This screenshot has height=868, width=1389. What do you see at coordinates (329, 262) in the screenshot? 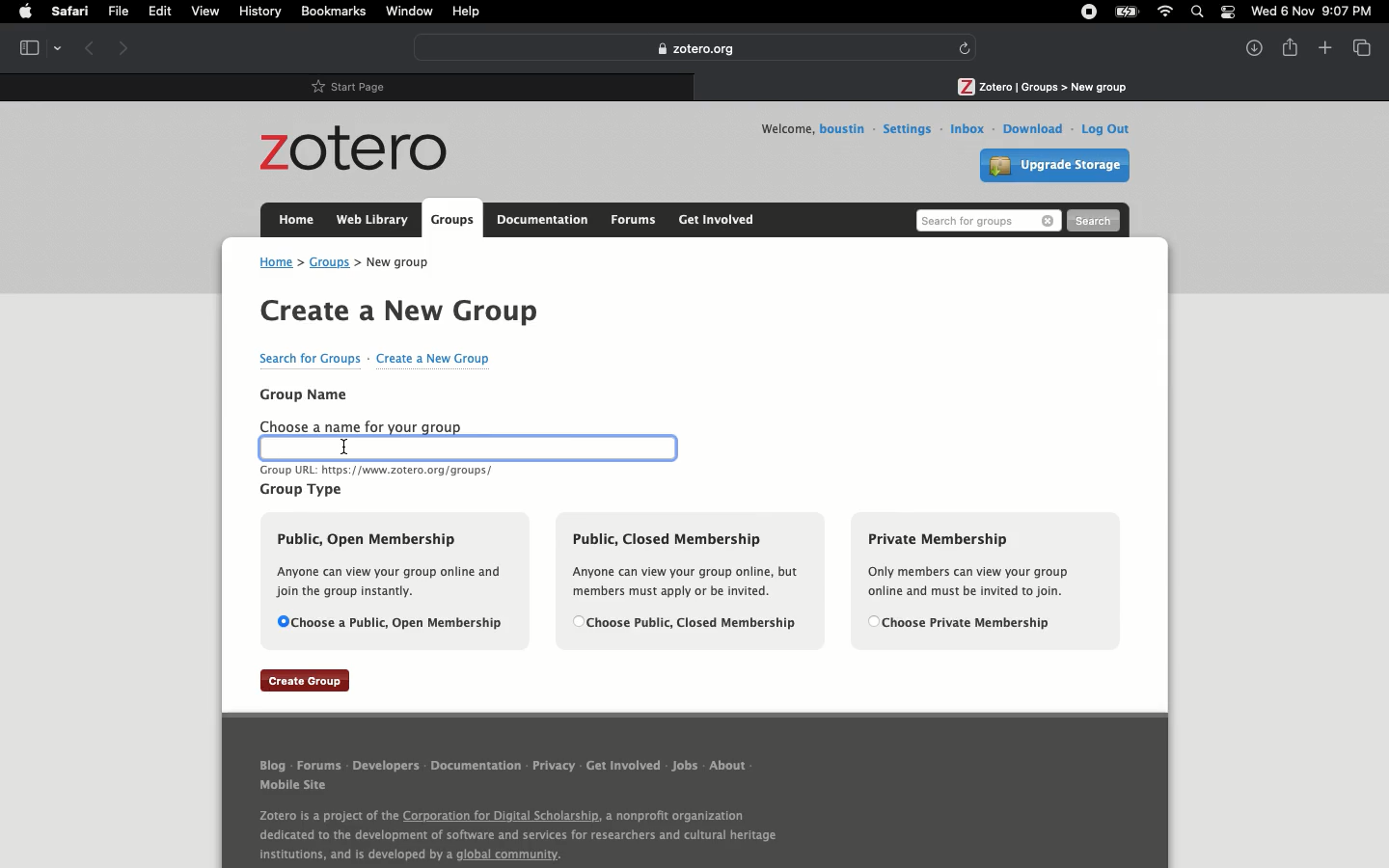
I see `Groups` at bounding box center [329, 262].